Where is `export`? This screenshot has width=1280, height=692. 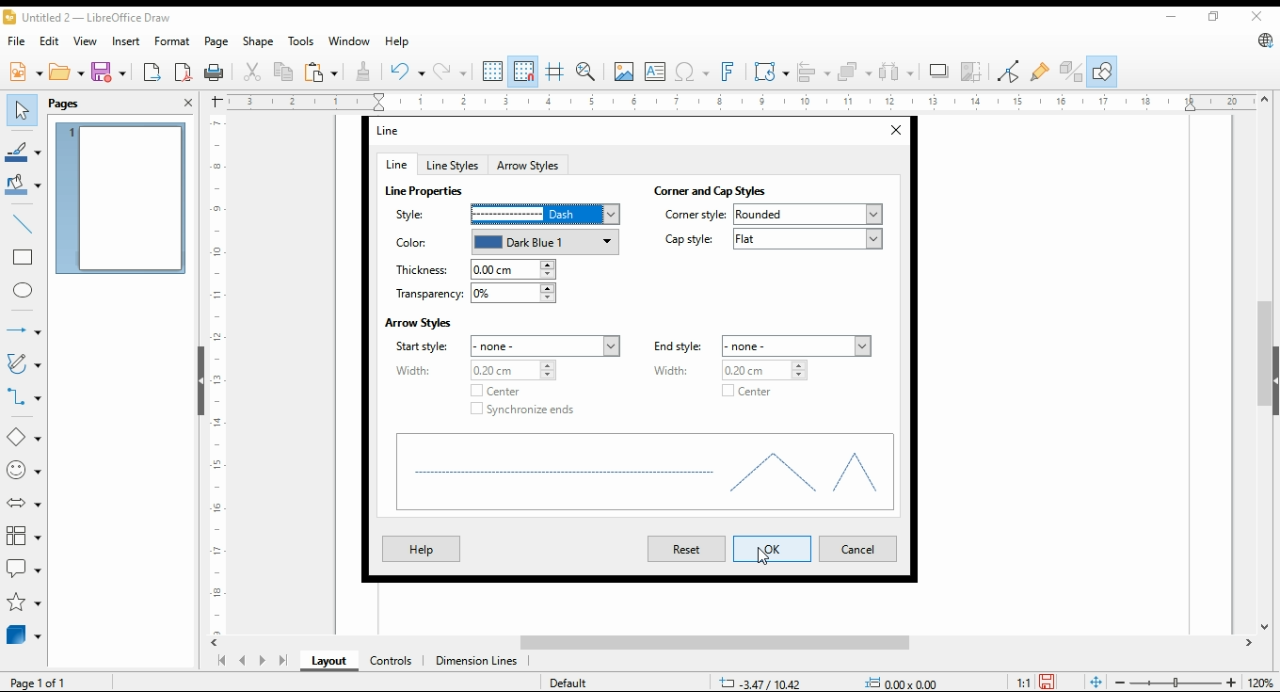
export is located at coordinates (153, 71).